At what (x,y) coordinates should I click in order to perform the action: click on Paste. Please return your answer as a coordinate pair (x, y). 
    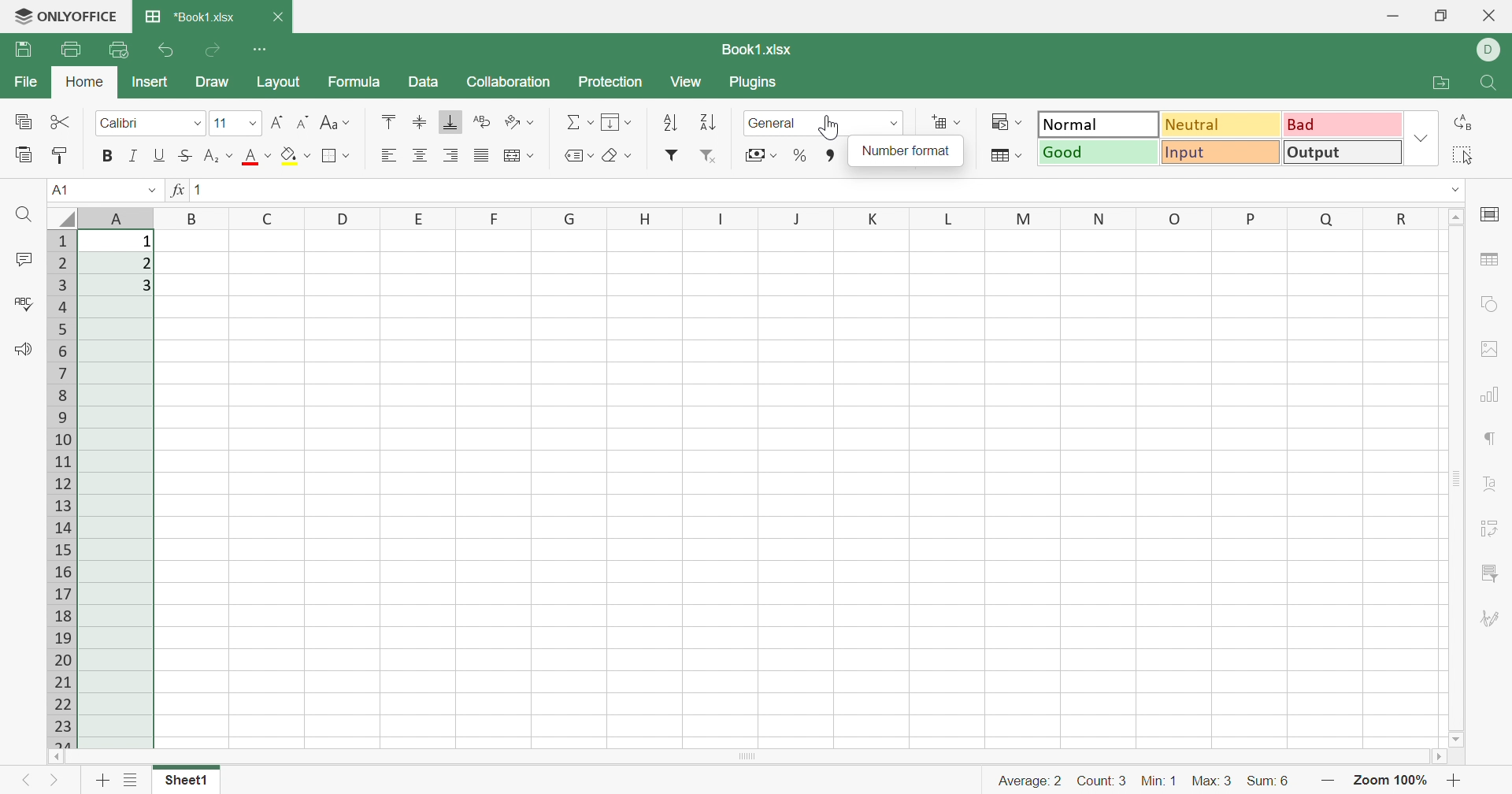
    Looking at the image, I should click on (24, 154).